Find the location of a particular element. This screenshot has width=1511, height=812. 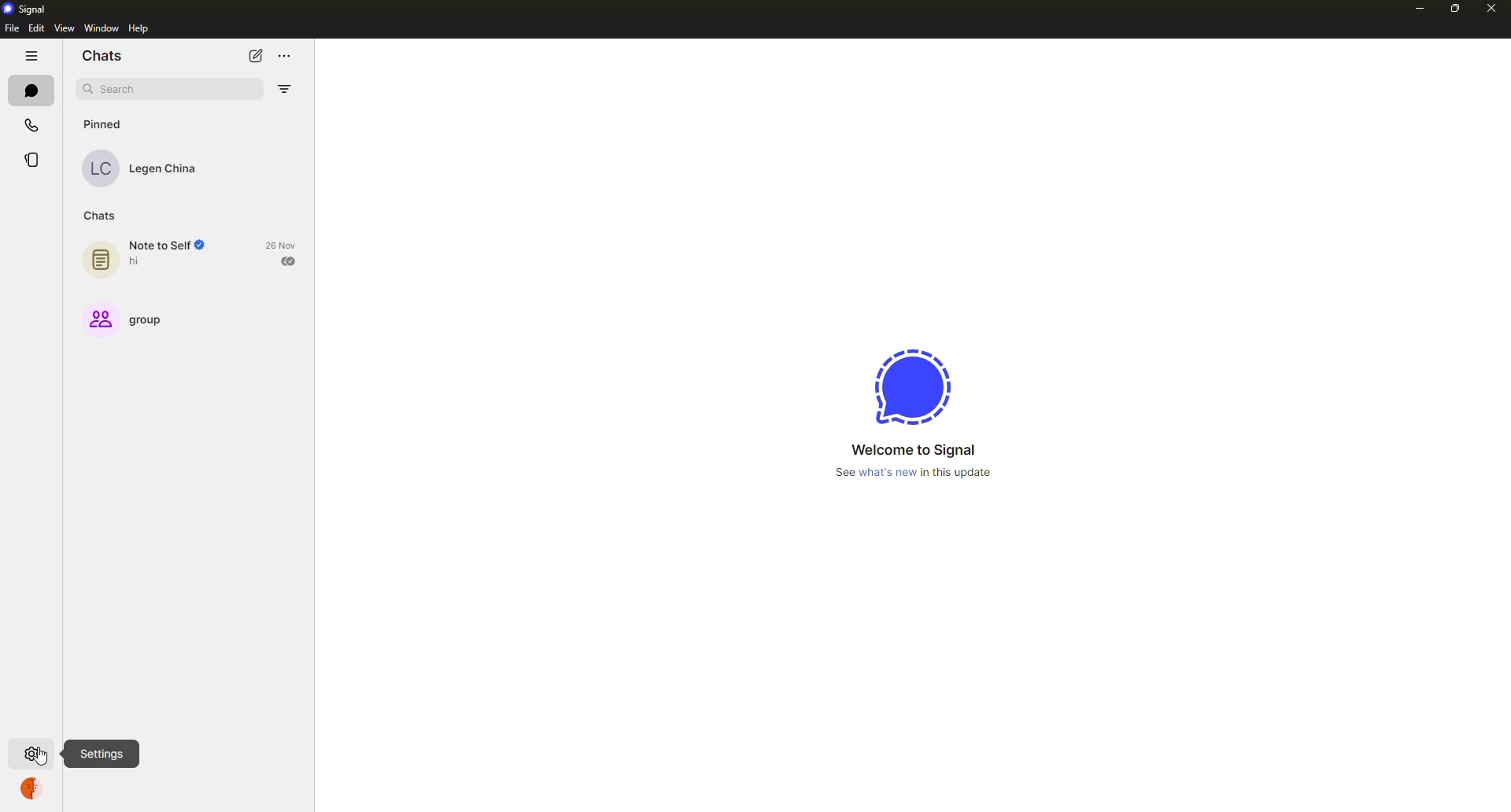

pinned is located at coordinates (105, 124).